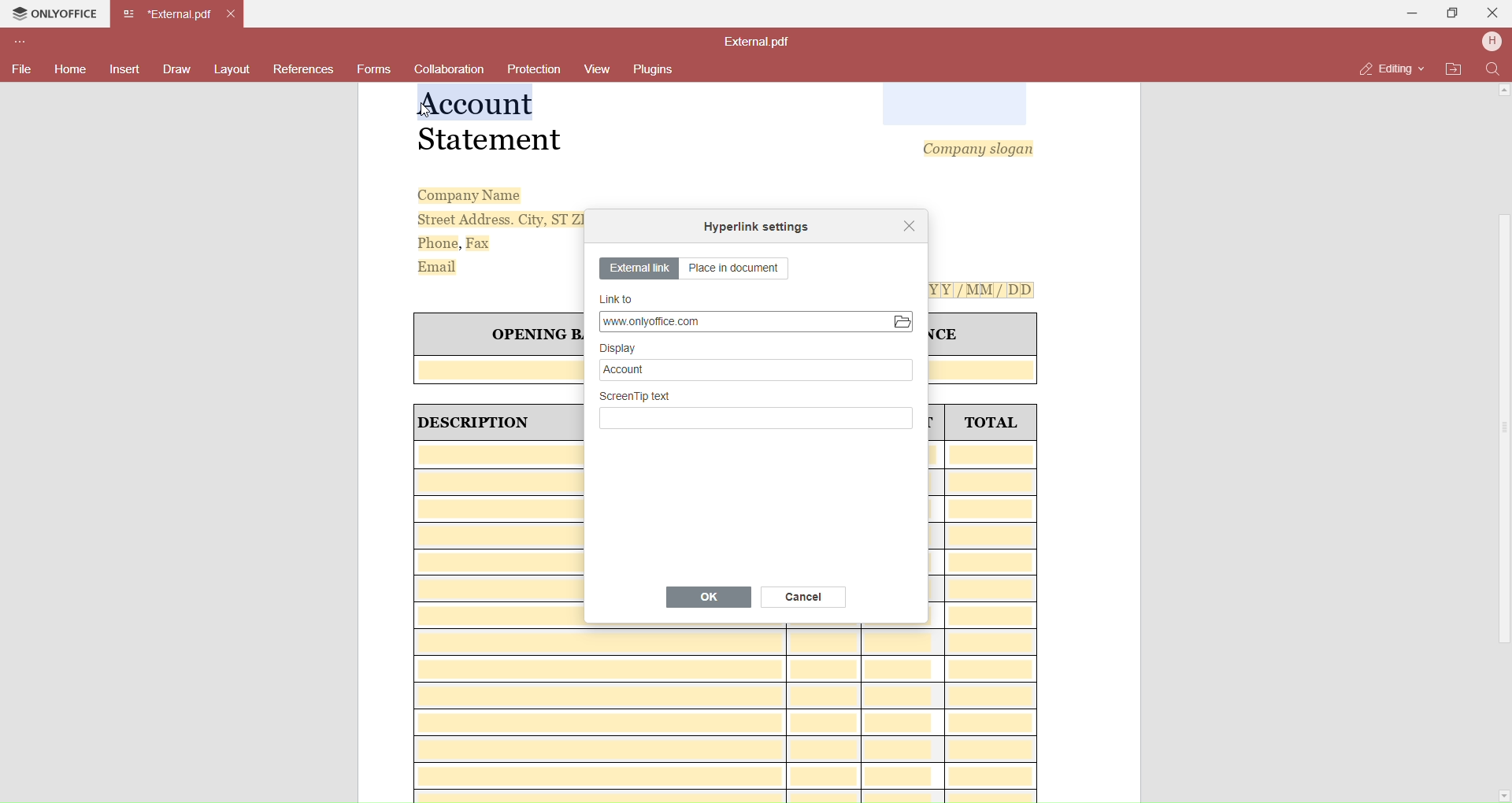 This screenshot has height=803, width=1512. I want to click on Close Tab, so click(236, 13).